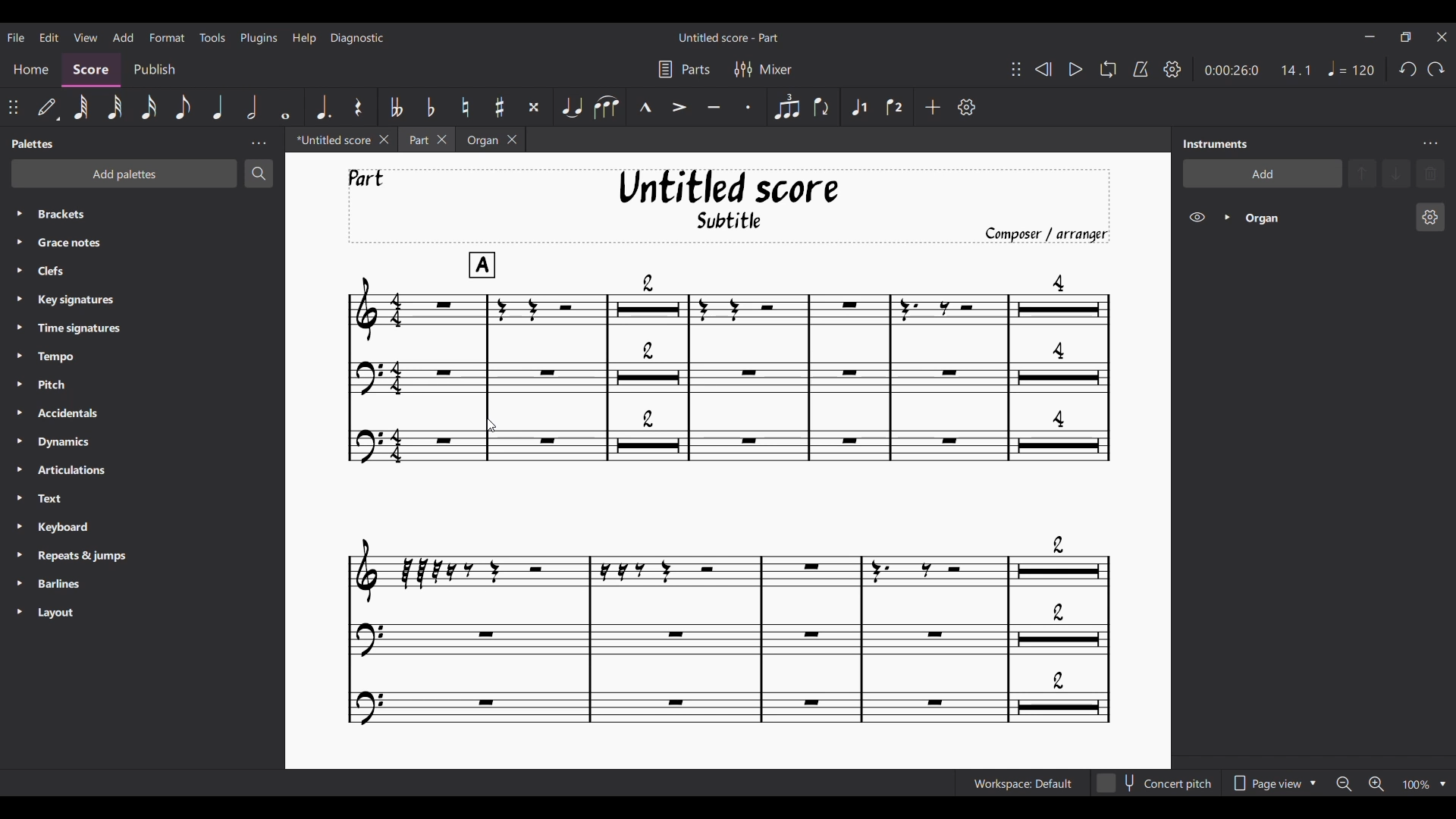  What do you see at coordinates (417, 140) in the screenshot?
I see `Part tab` at bounding box center [417, 140].